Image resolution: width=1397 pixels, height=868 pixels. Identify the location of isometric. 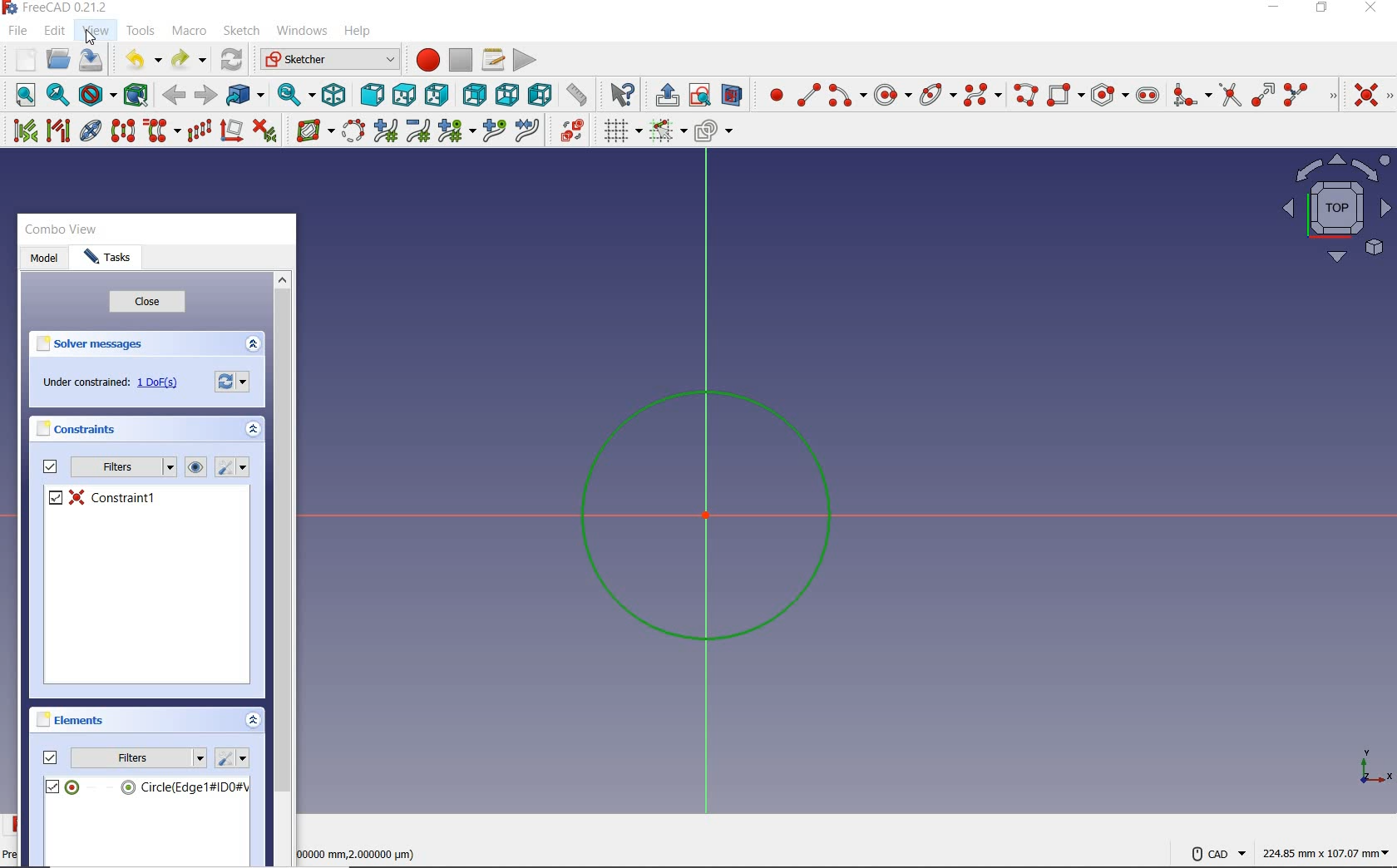
(328, 95).